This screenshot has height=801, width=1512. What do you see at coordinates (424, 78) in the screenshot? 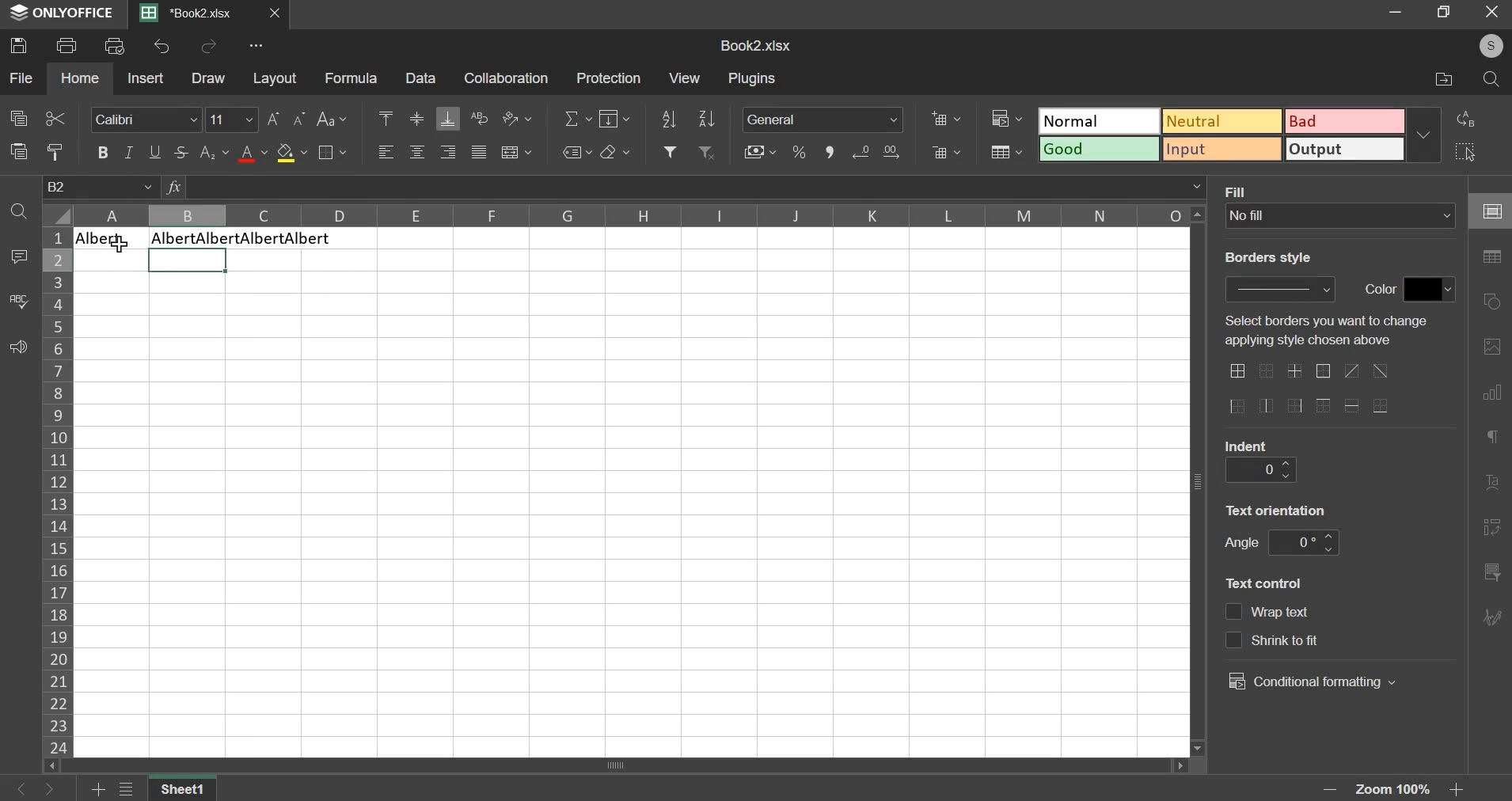
I see `data` at bounding box center [424, 78].